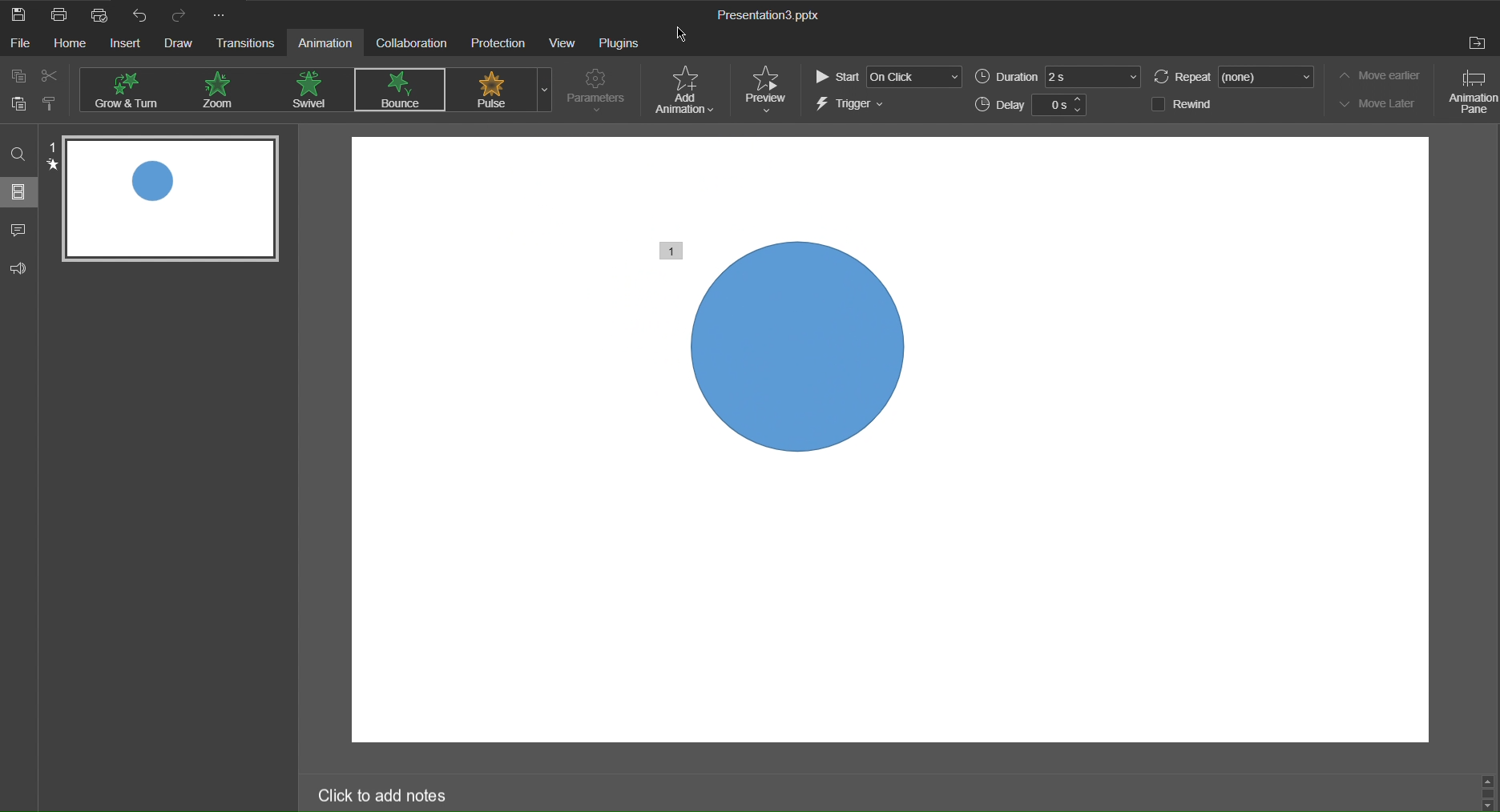 The height and width of the screenshot is (812, 1500). I want to click on Add Animation, so click(687, 91).